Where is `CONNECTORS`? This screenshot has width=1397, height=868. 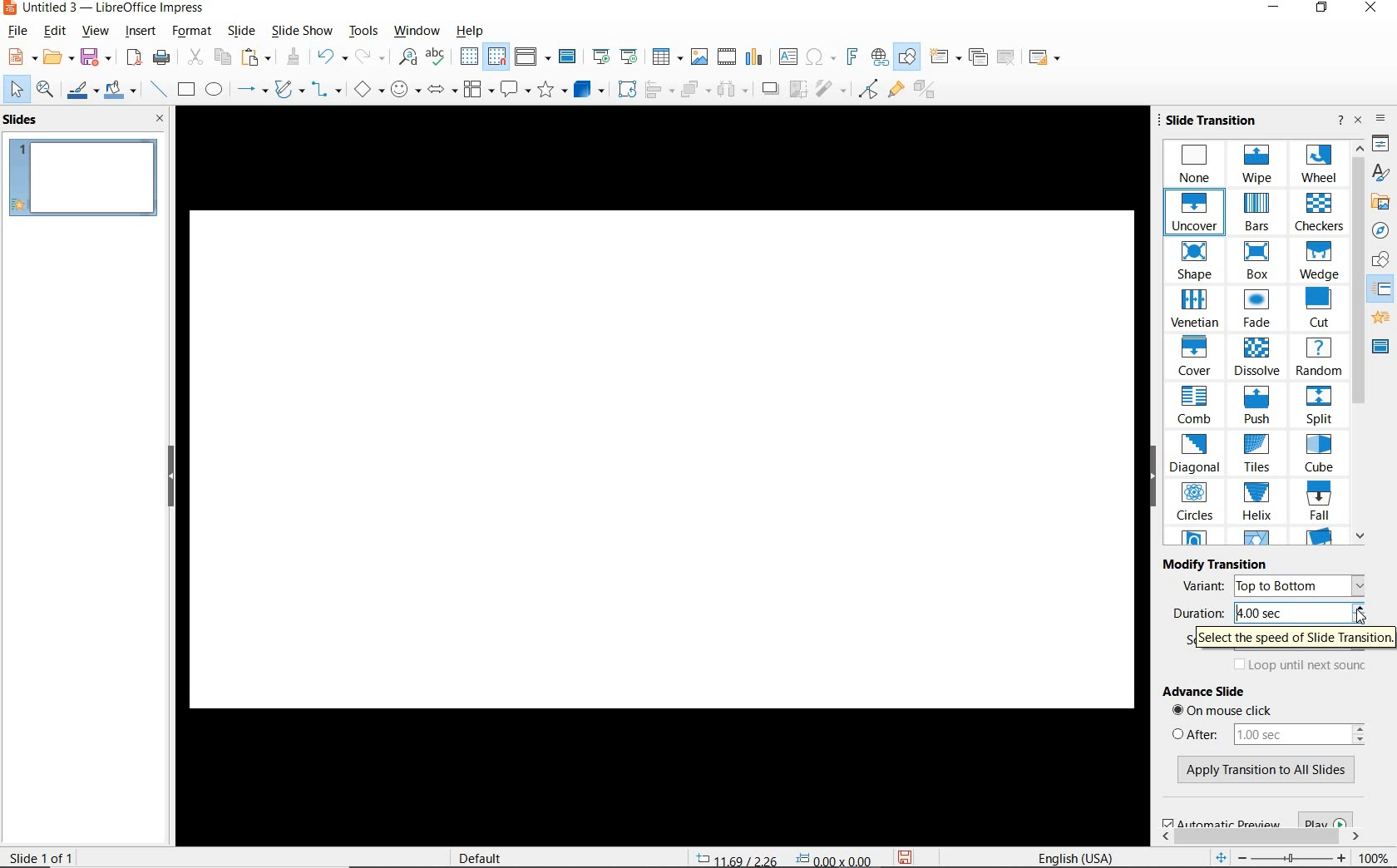 CONNECTORS is located at coordinates (326, 91).